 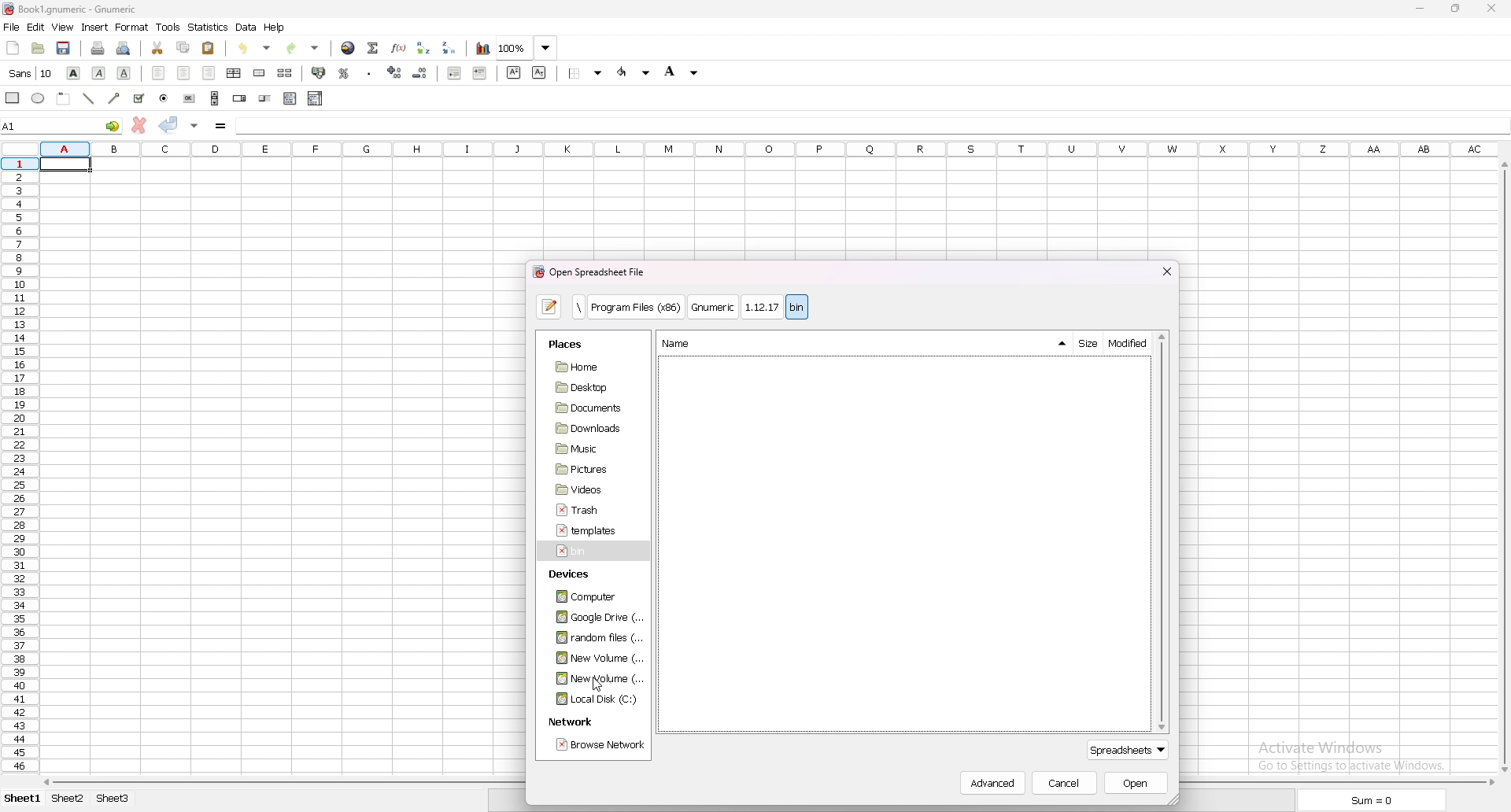 What do you see at coordinates (586, 429) in the screenshot?
I see `downloads` at bounding box center [586, 429].